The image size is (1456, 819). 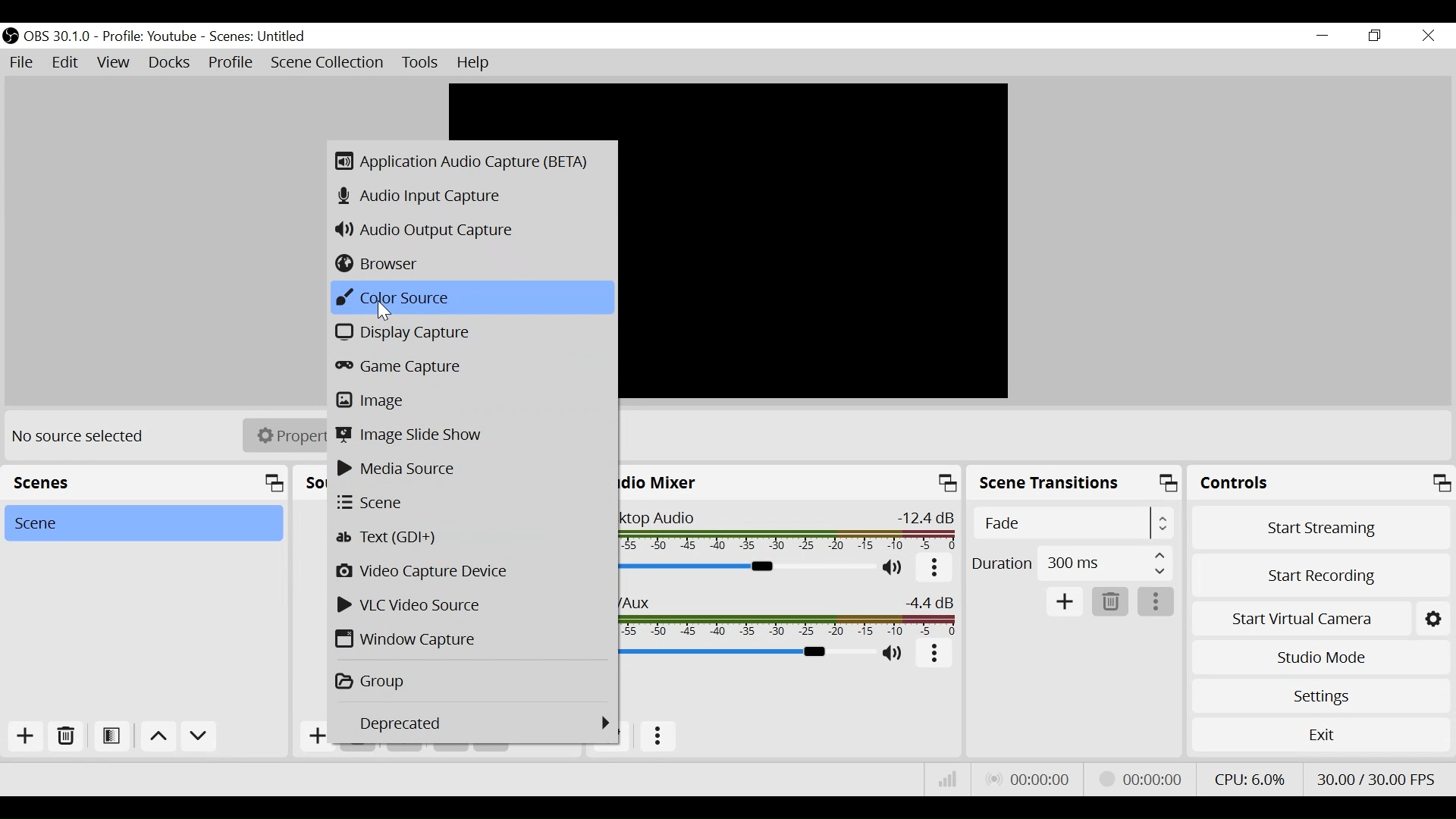 I want to click on Deprecated, so click(x=476, y=720).